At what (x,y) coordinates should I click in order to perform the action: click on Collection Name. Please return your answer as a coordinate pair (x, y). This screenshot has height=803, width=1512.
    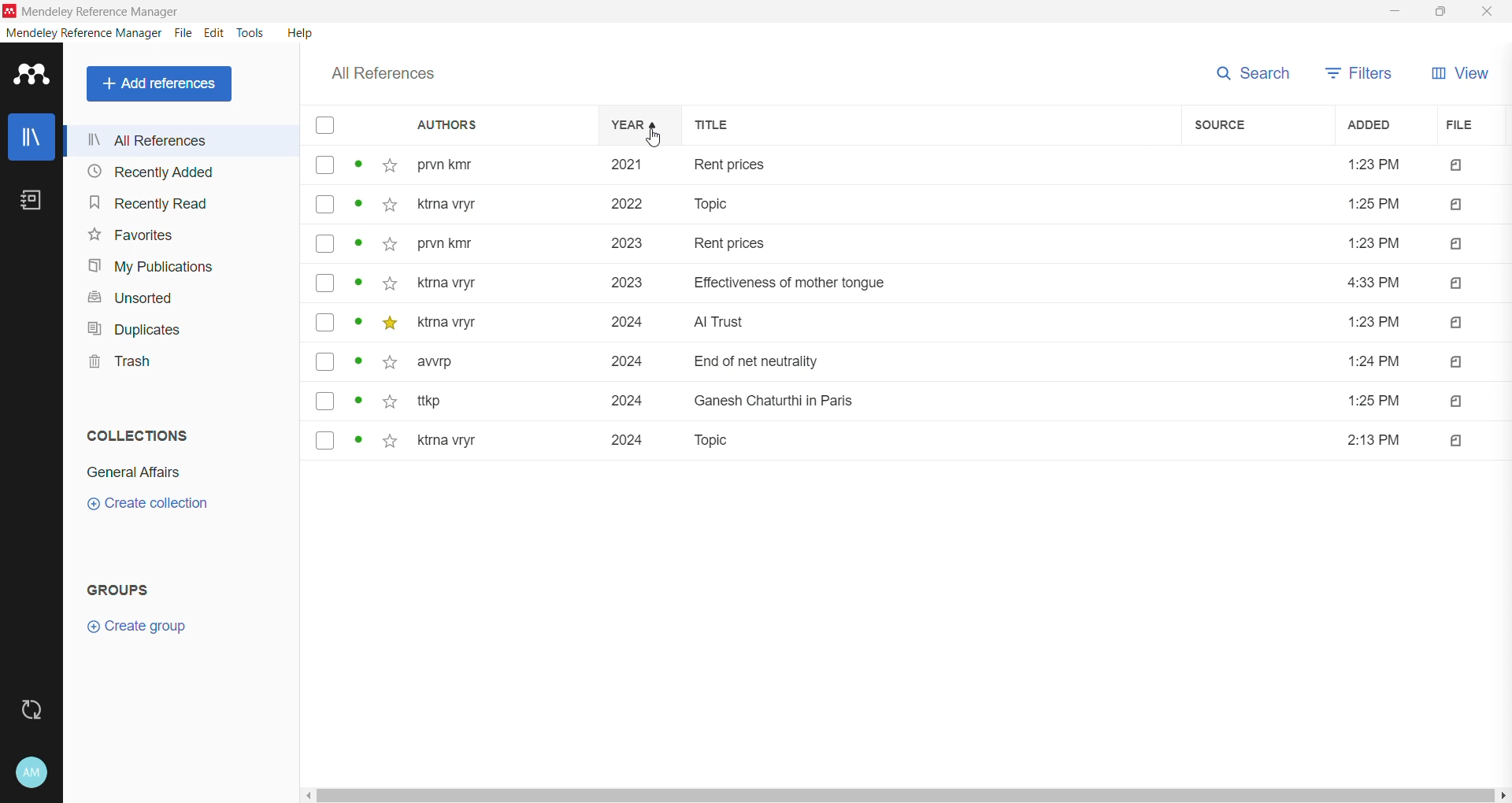
    Looking at the image, I should click on (131, 473).